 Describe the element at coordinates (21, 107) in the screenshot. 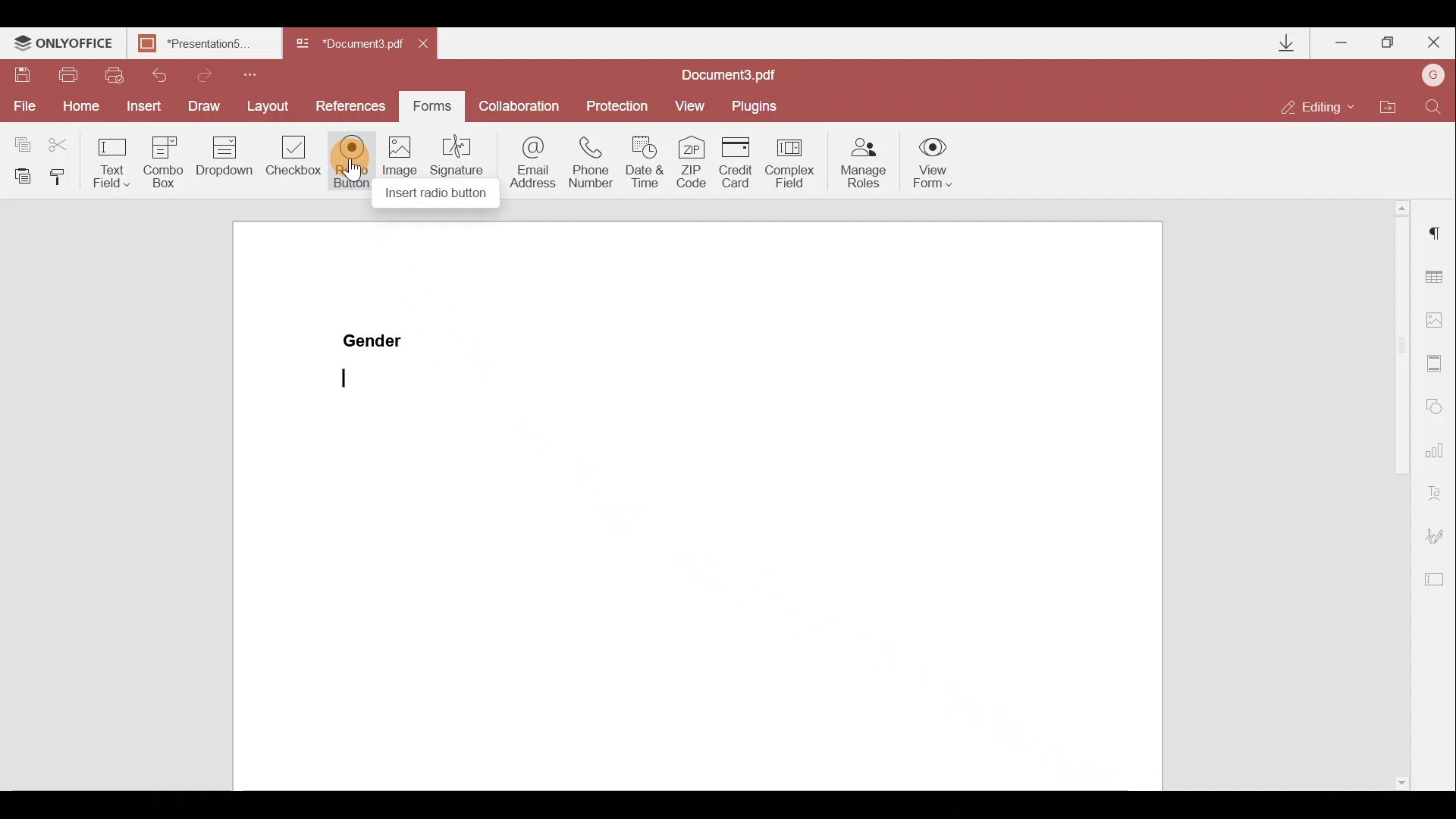

I see `File` at that location.